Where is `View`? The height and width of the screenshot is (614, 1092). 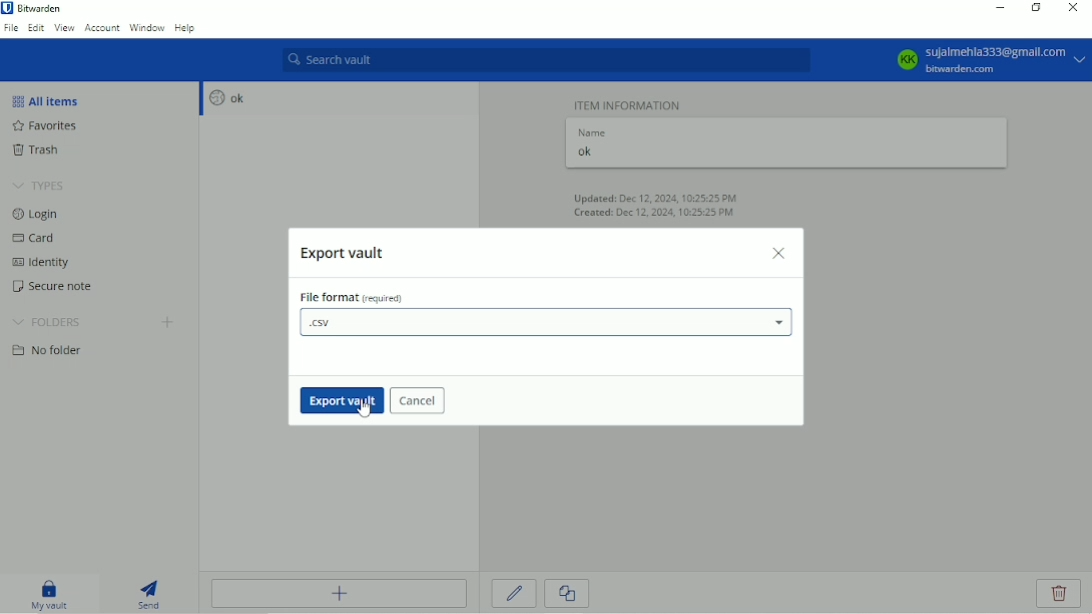 View is located at coordinates (64, 27).